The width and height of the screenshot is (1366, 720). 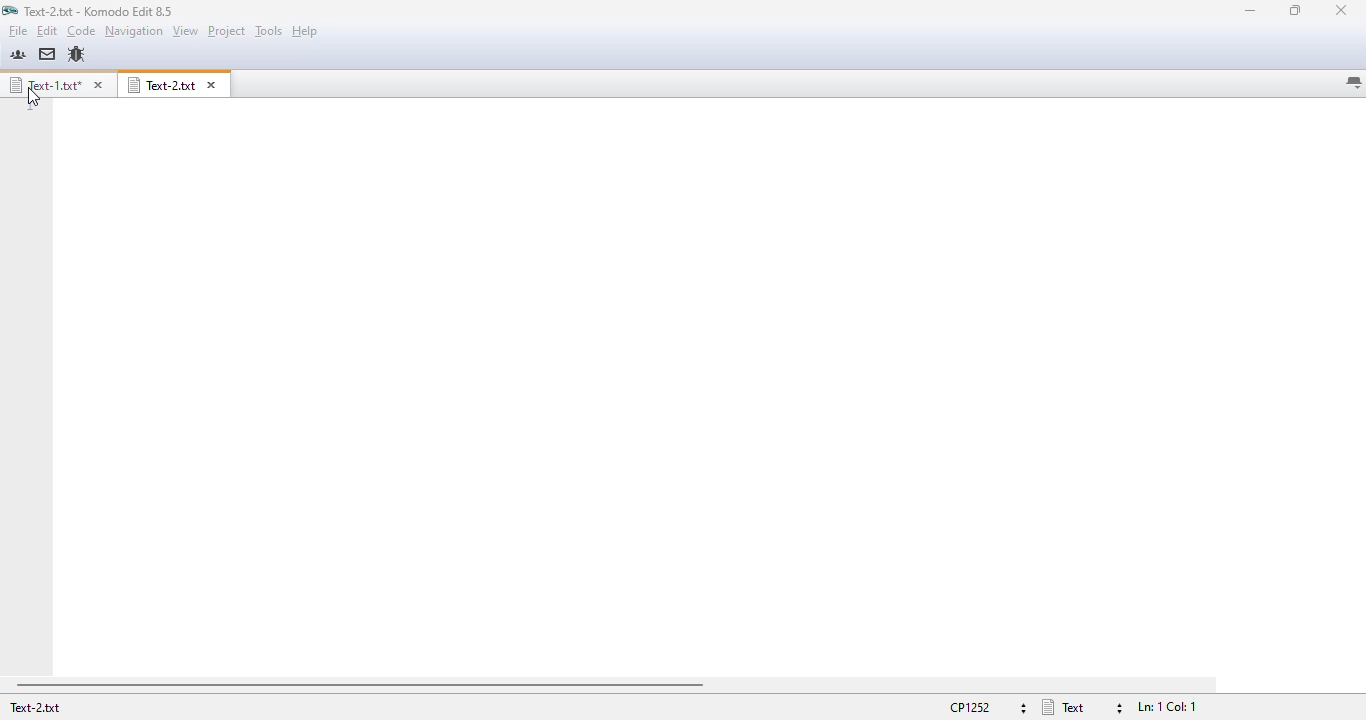 What do you see at coordinates (44, 84) in the screenshot?
I see `text-1` at bounding box center [44, 84].